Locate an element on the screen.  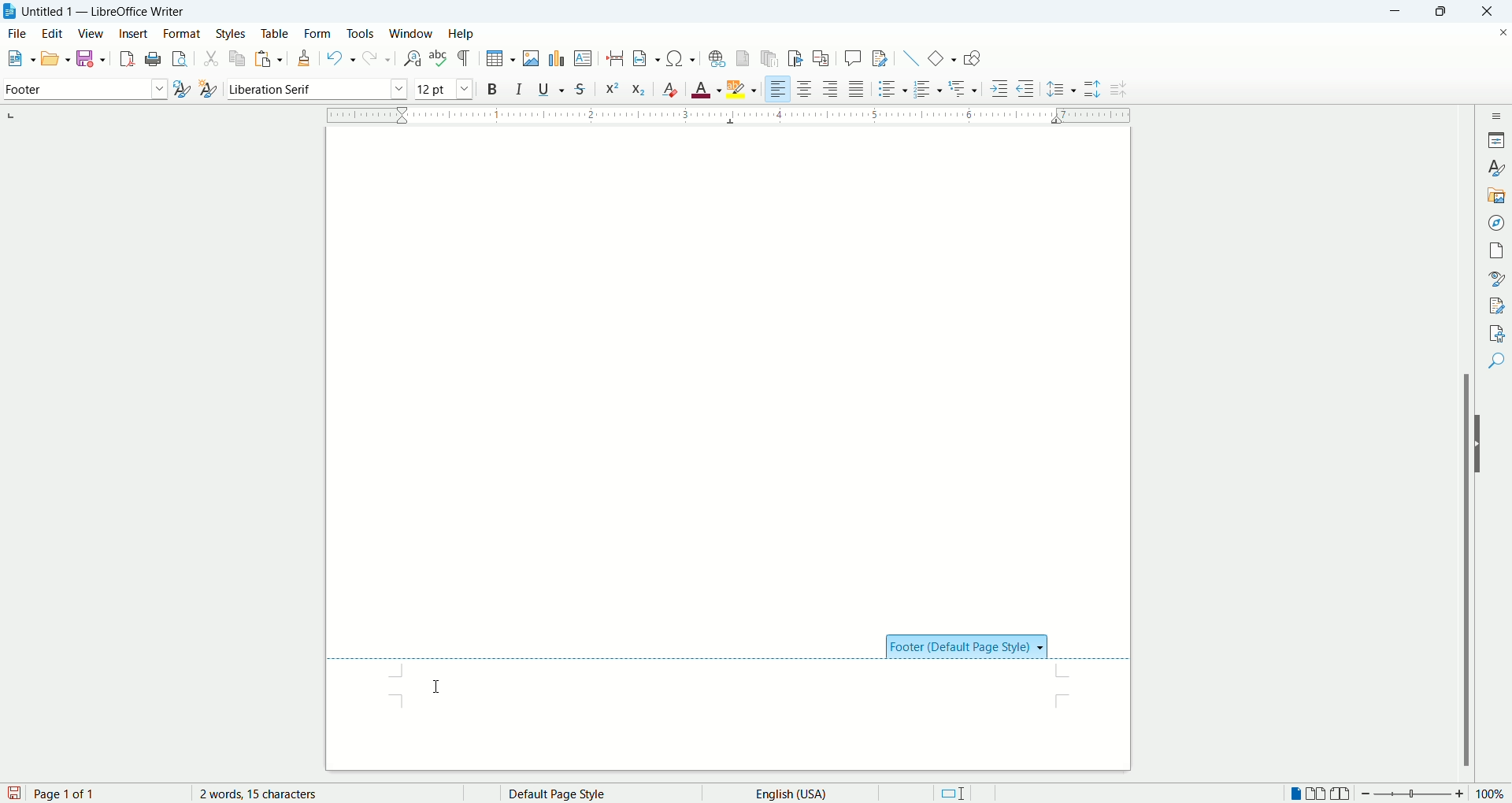
export as pdf is located at coordinates (124, 58).